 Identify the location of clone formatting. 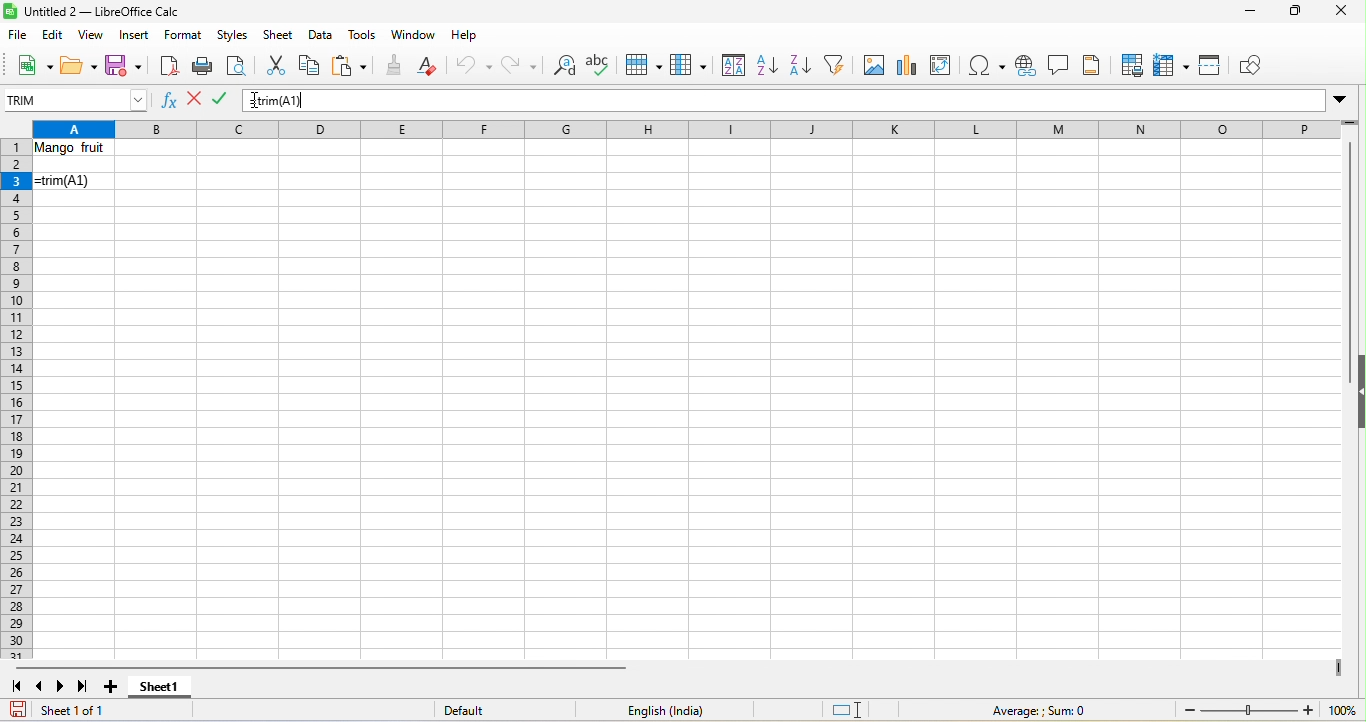
(394, 67).